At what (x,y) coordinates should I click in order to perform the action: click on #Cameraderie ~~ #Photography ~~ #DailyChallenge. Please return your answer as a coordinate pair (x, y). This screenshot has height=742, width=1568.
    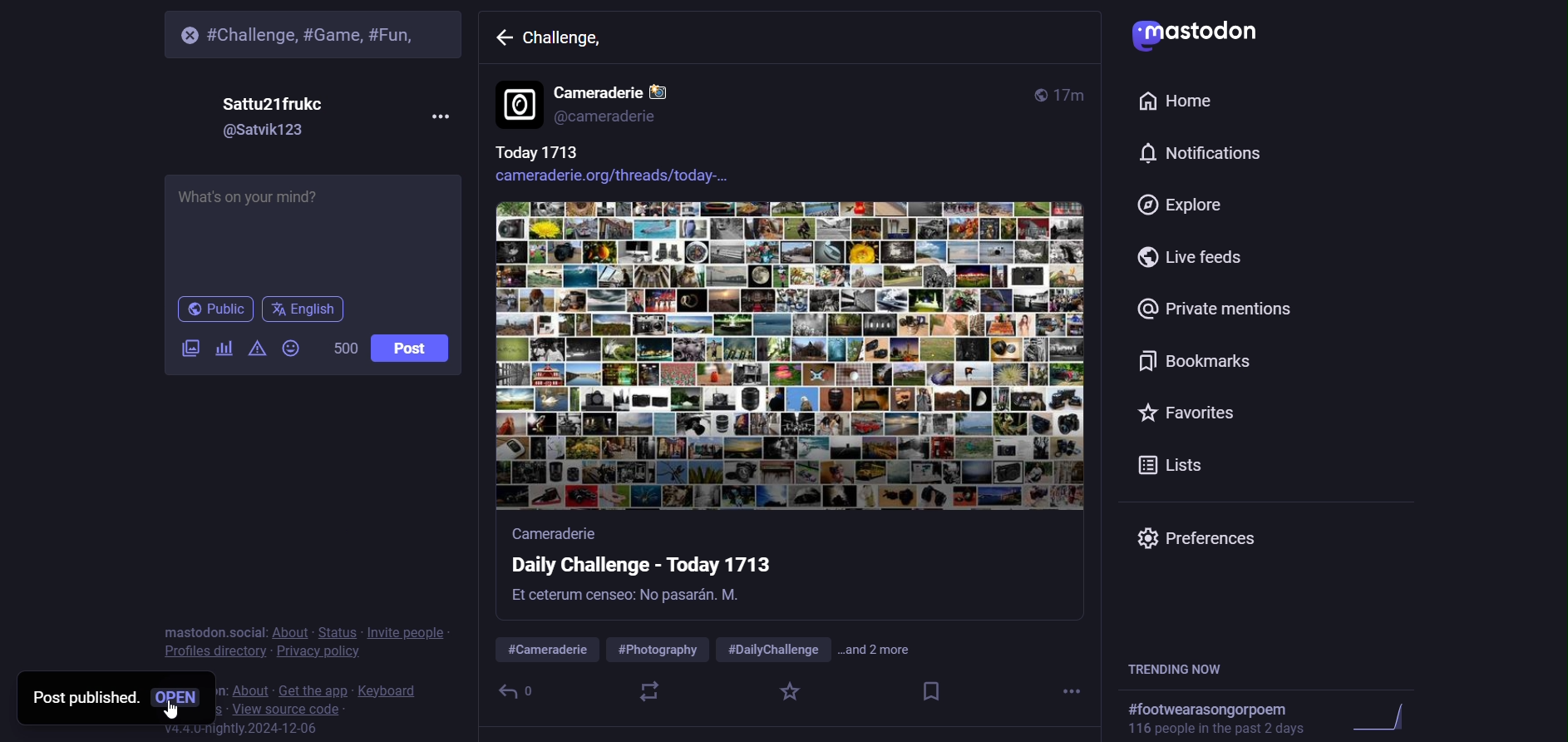
    Looking at the image, I should click on (657, 643).